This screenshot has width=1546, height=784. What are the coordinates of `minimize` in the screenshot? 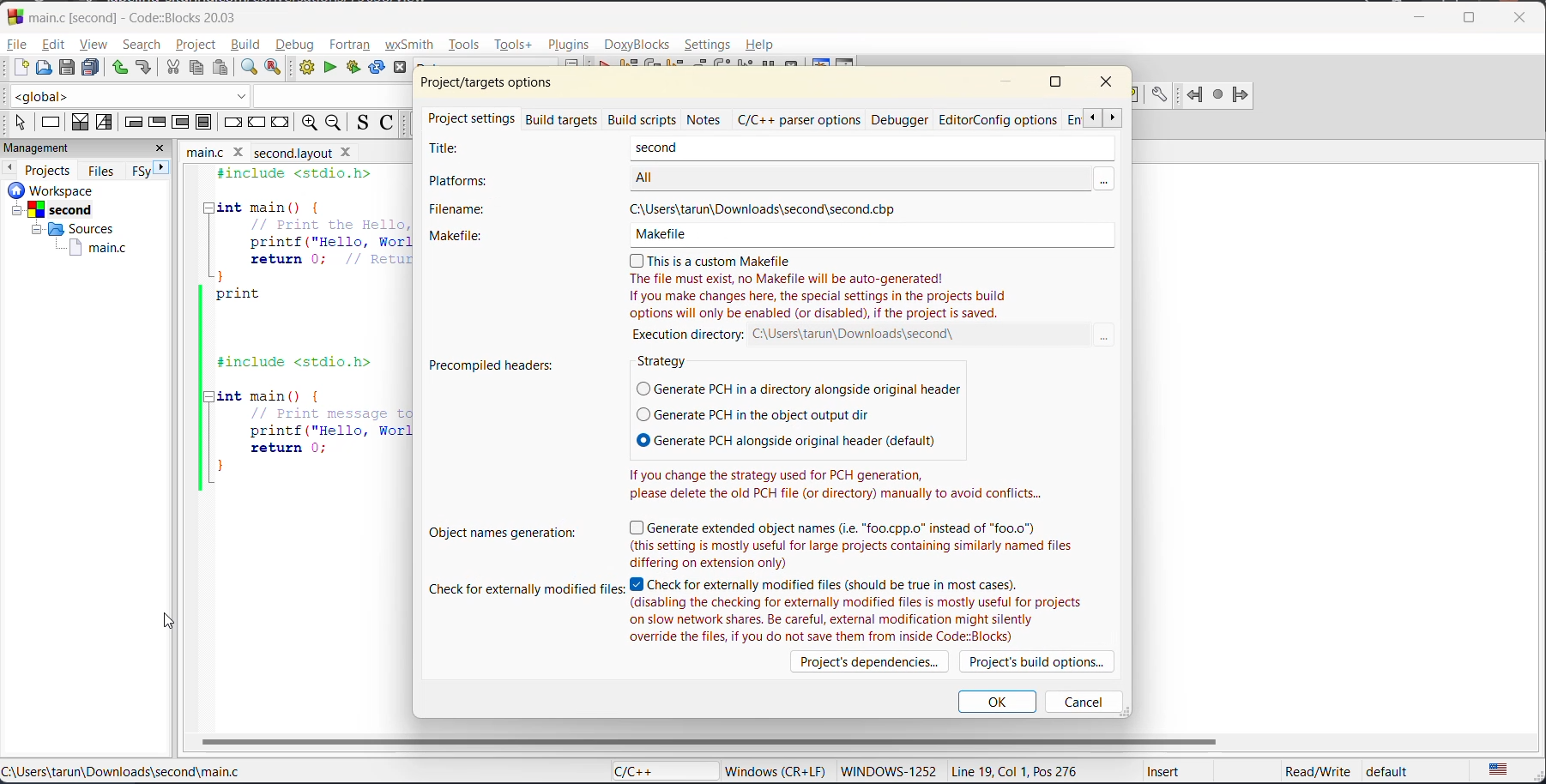 It's located at (1005, 81).